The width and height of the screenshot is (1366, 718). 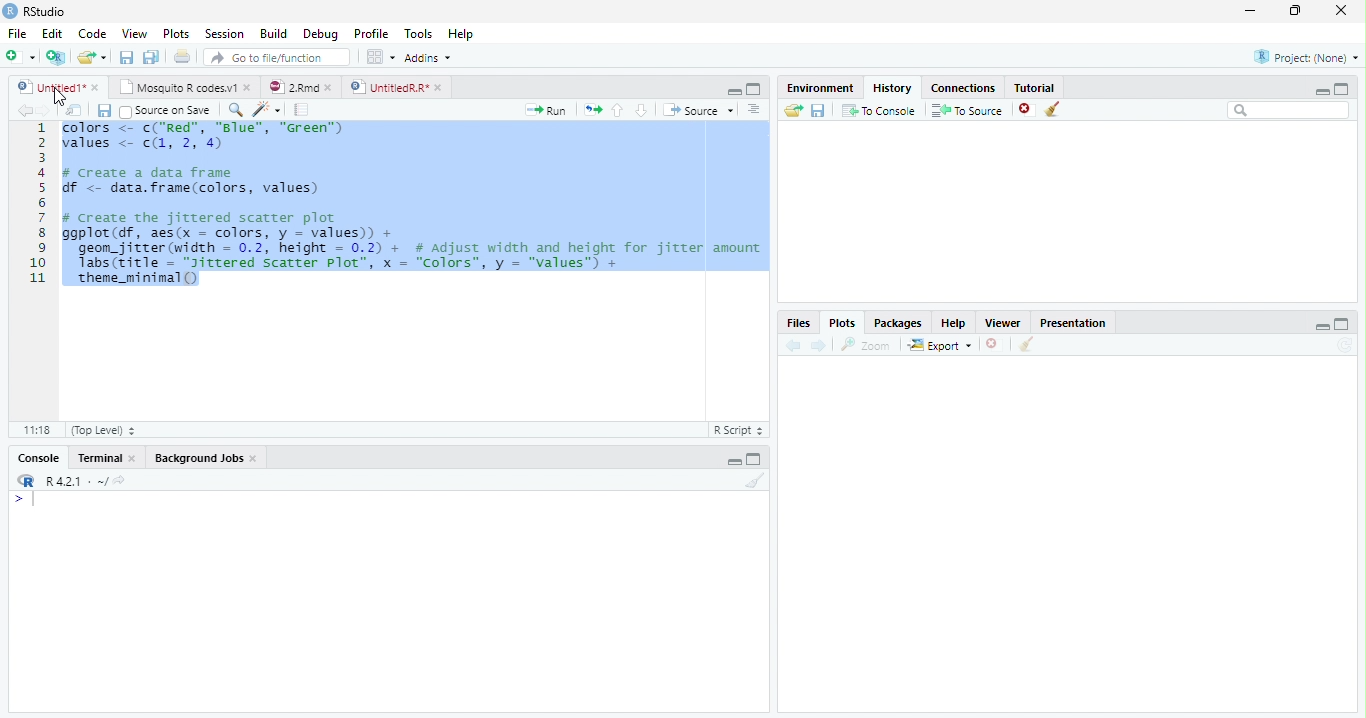 I want to click on Remove current plot, so click(x=994, y=345).